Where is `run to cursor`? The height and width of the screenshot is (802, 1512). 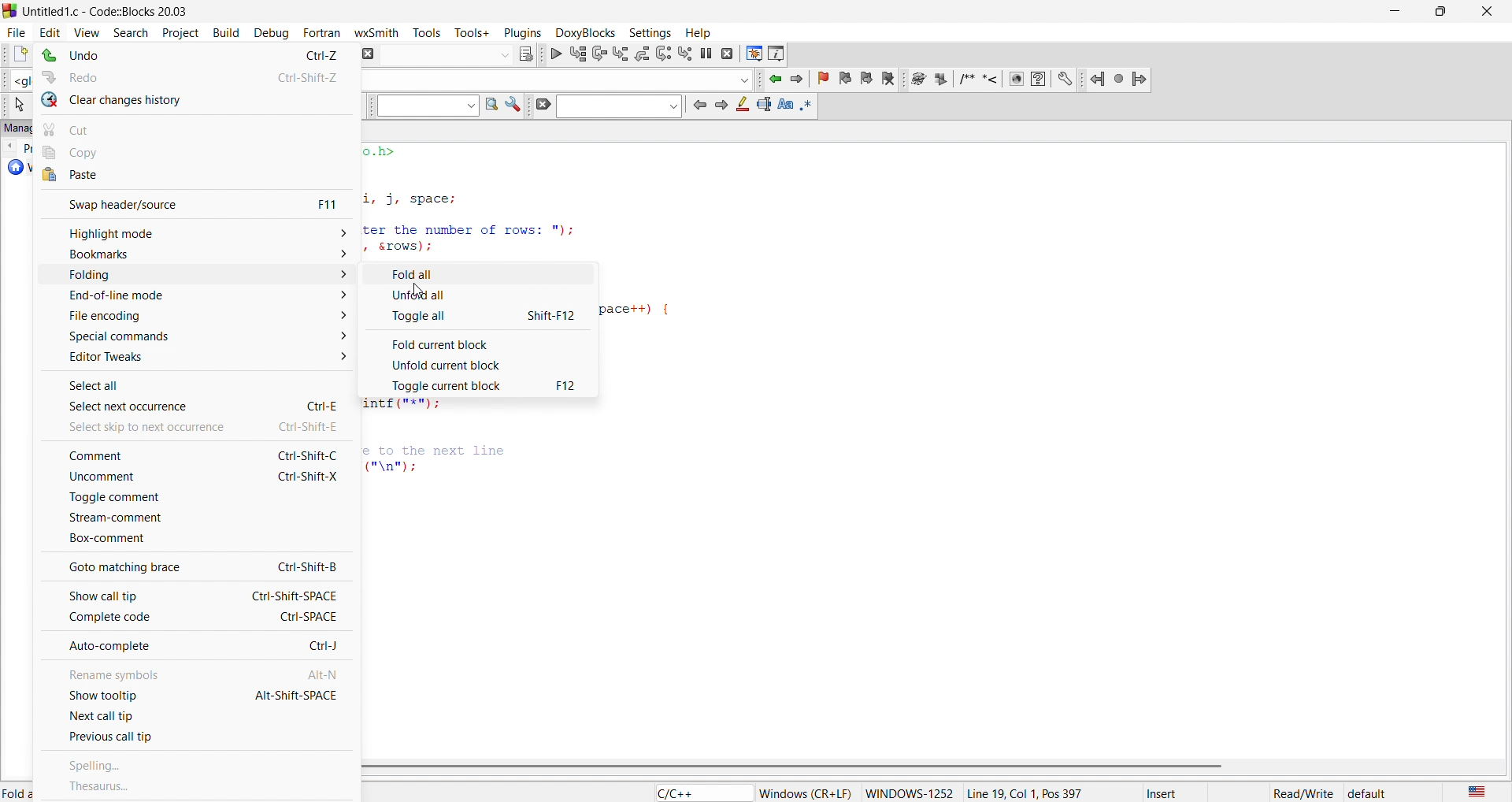 run to cursor is located at coordinates (577, 54).